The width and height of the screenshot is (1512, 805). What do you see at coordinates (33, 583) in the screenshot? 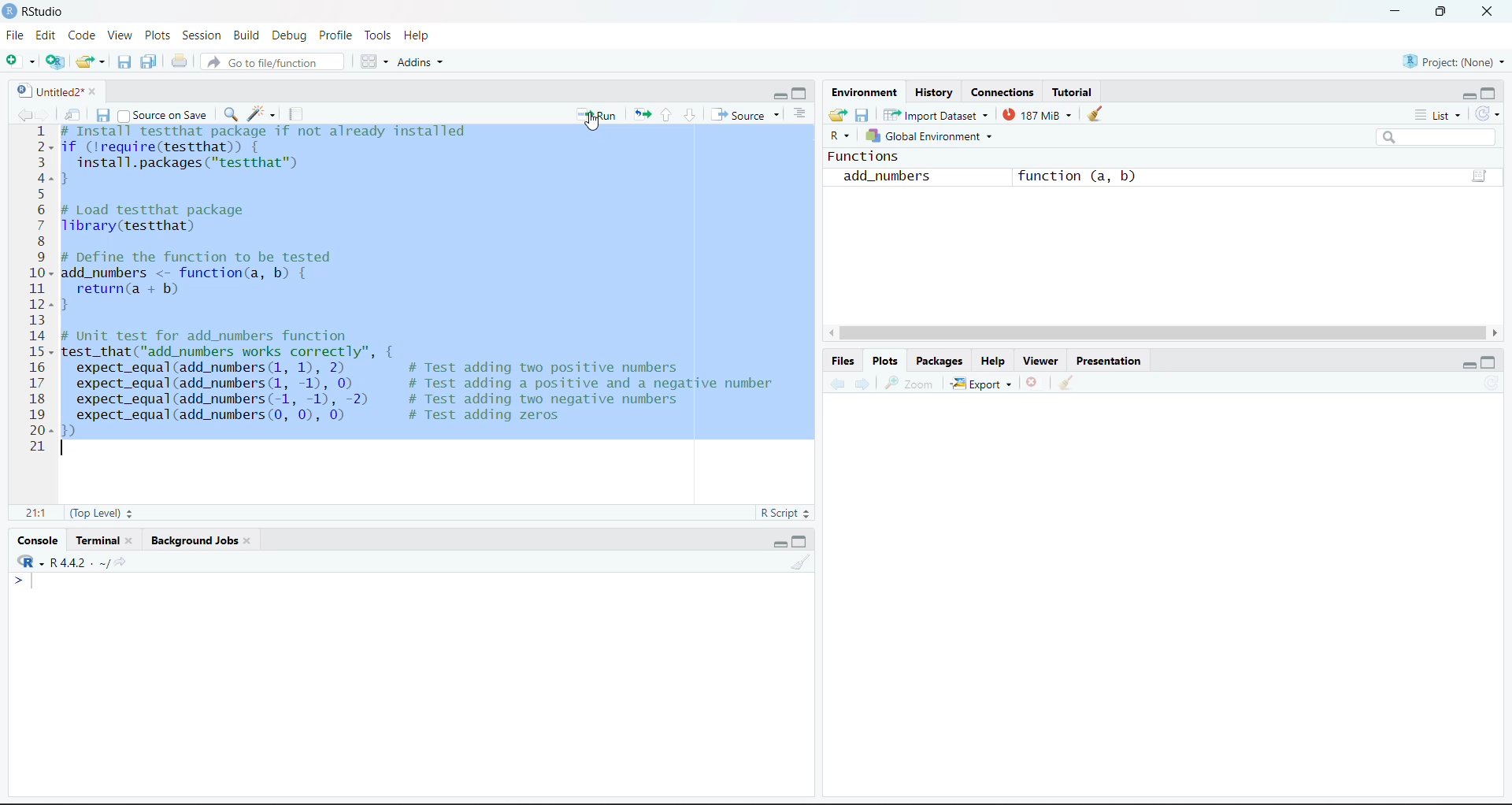
I see `text cursor` at bounding box center [33, 583].